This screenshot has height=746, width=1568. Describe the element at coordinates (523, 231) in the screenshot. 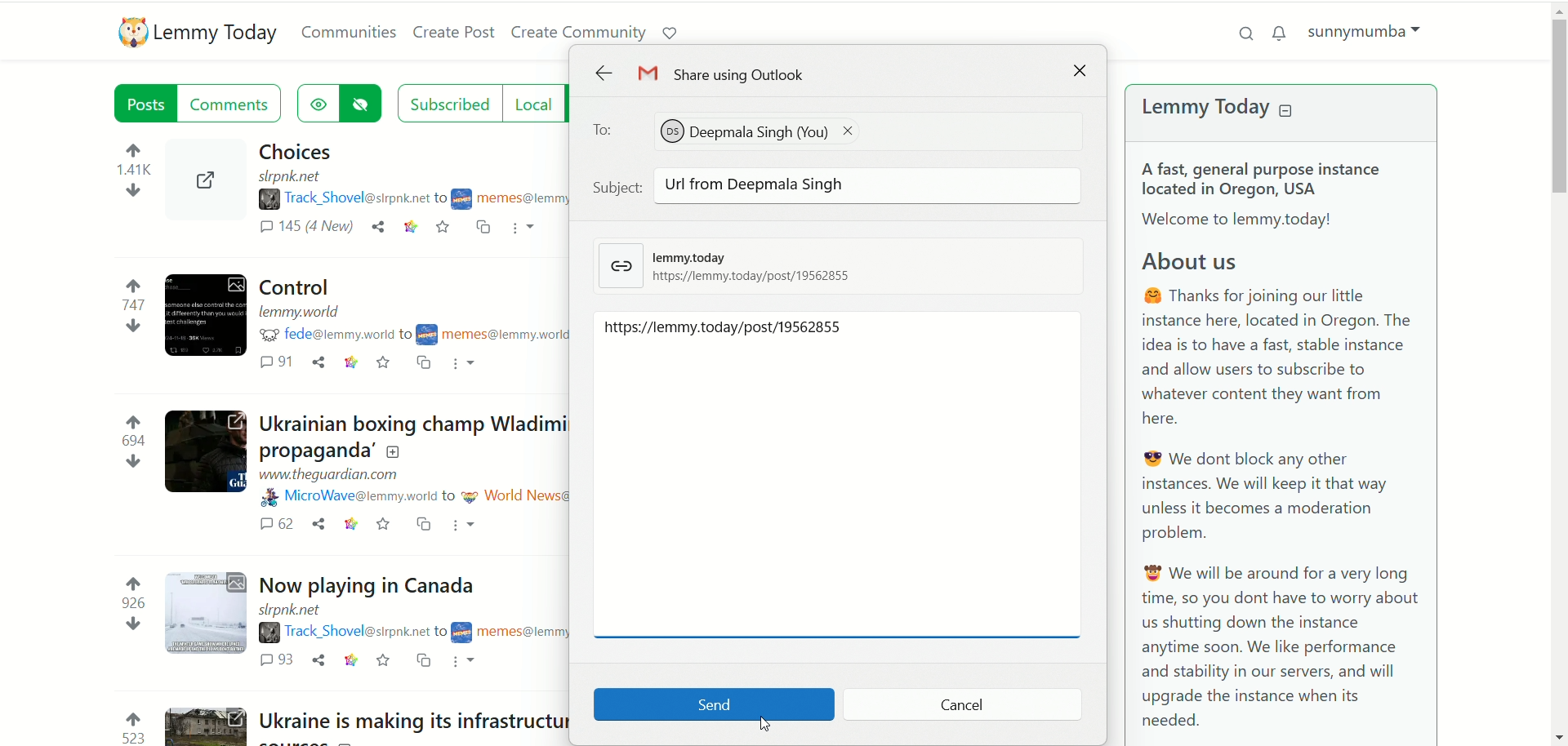

I see `more` at that location.